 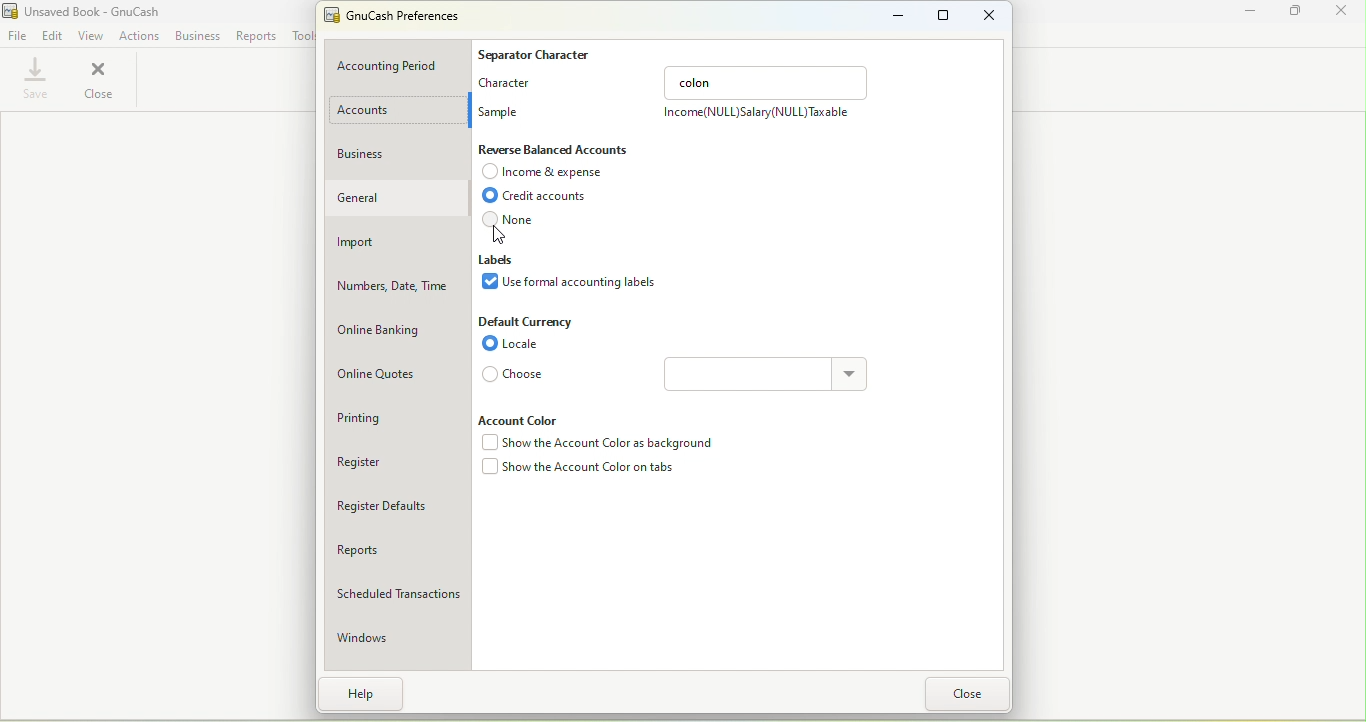 I want to click on Character, so click(x=506, y=83).